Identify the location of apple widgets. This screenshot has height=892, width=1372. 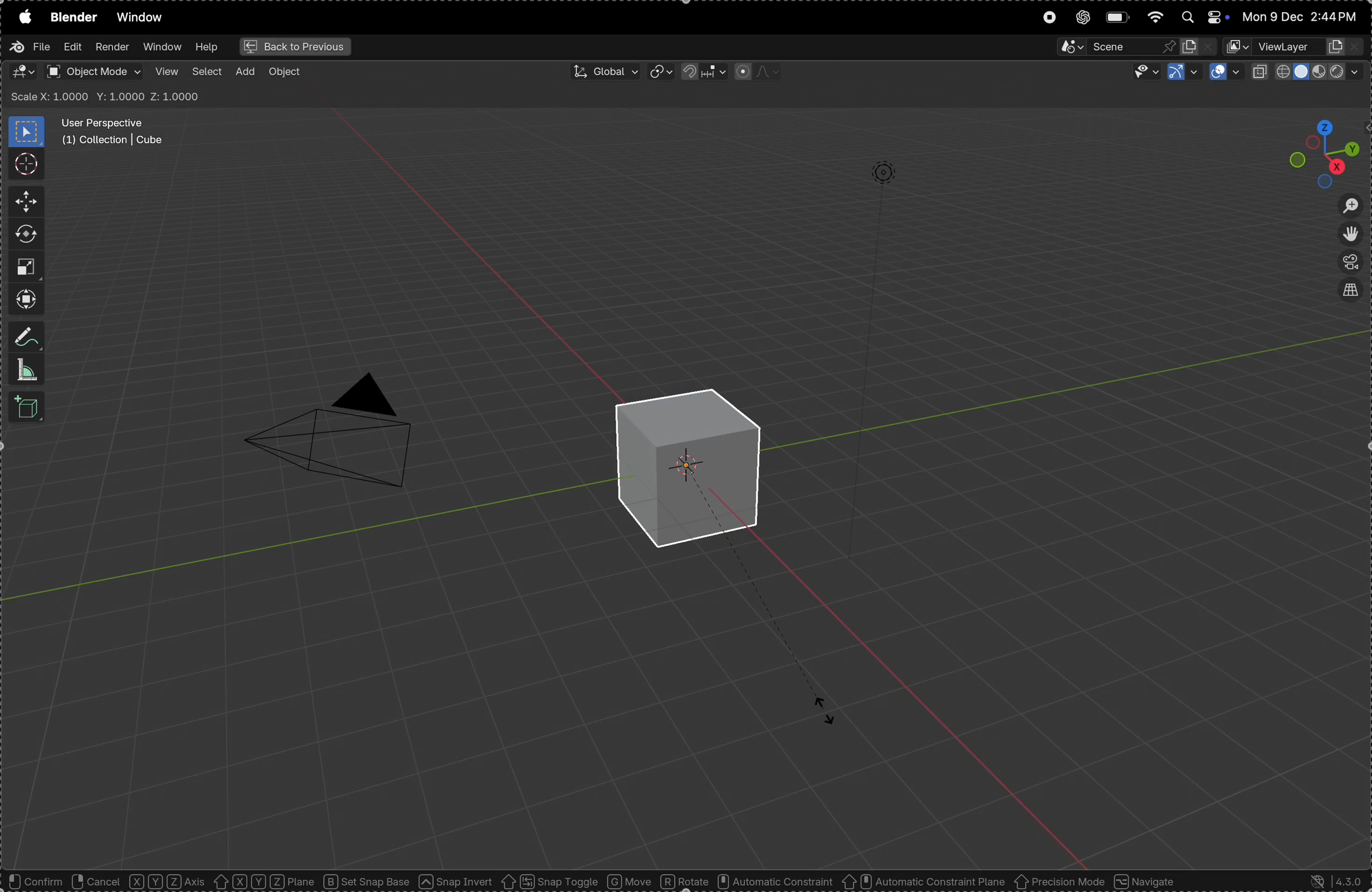
(1201, 18).